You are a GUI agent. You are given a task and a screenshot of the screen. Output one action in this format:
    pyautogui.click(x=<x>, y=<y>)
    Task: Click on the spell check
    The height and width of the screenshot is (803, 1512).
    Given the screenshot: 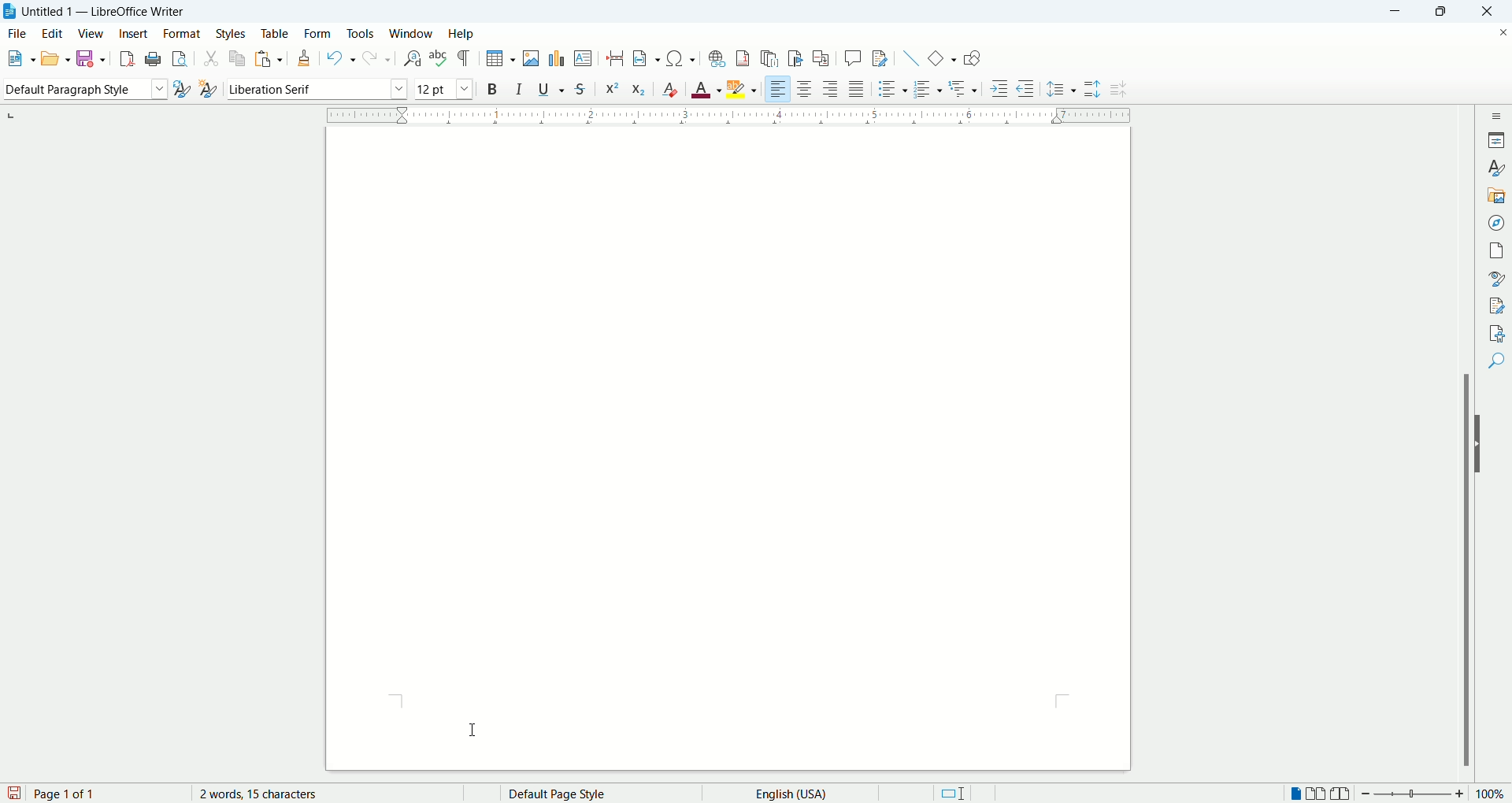 What is the action you would take?
    pyautogui.click(x=440, y=58)
    